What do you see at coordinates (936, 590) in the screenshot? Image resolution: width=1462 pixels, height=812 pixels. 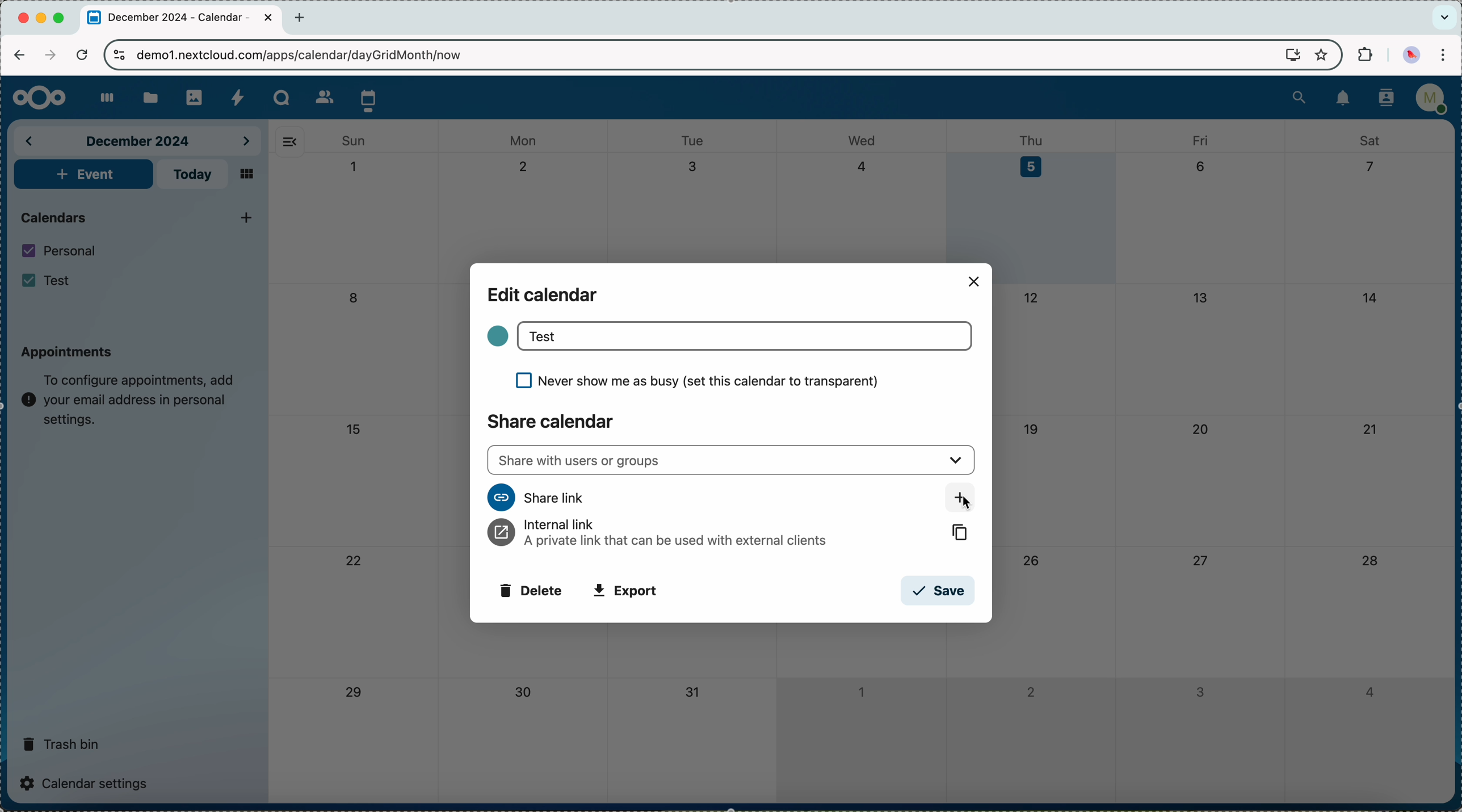 I see `save button` at bounding box center [936, 590].